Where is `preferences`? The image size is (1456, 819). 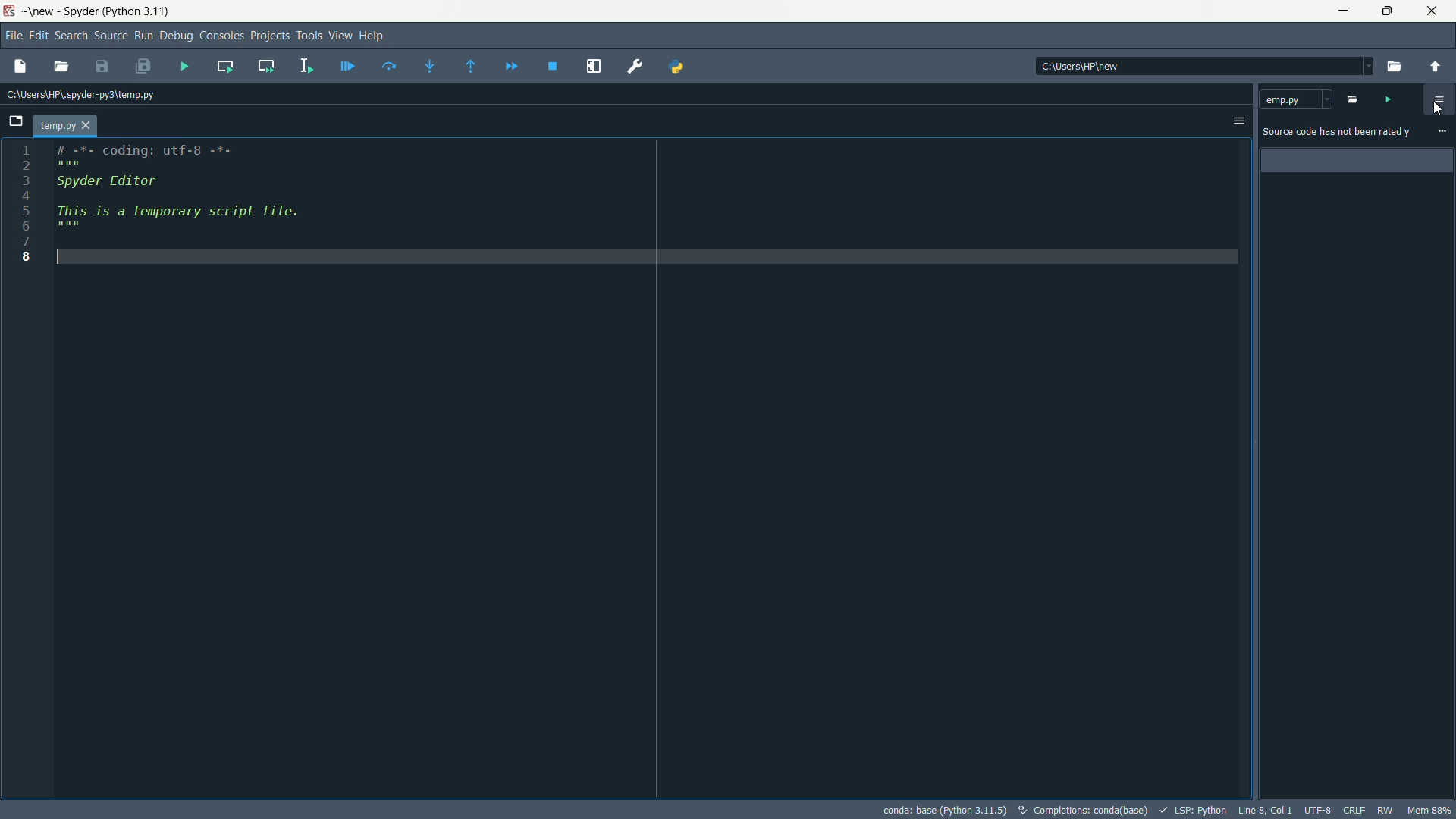 preferences is located at coordinates (635, 65).